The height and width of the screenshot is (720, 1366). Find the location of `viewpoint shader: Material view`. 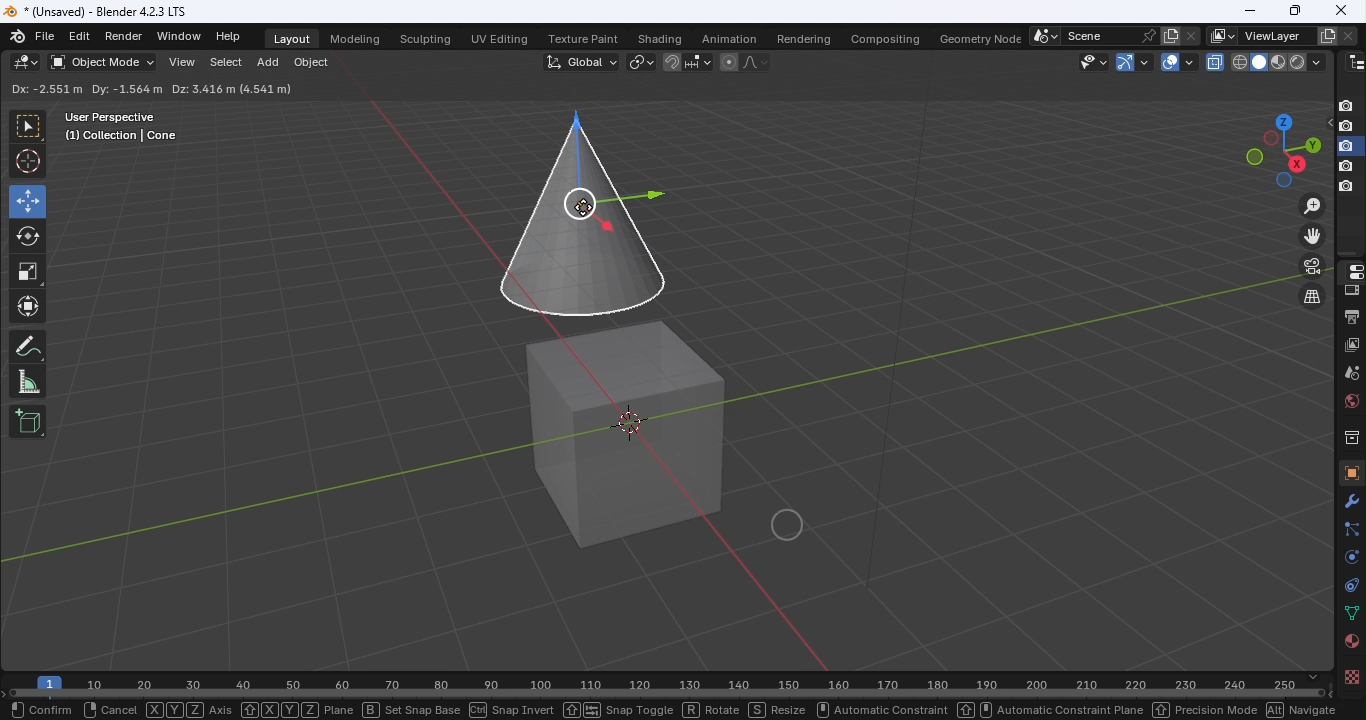

viewpoint shader: Material view is located at coordinates (1277, 61).